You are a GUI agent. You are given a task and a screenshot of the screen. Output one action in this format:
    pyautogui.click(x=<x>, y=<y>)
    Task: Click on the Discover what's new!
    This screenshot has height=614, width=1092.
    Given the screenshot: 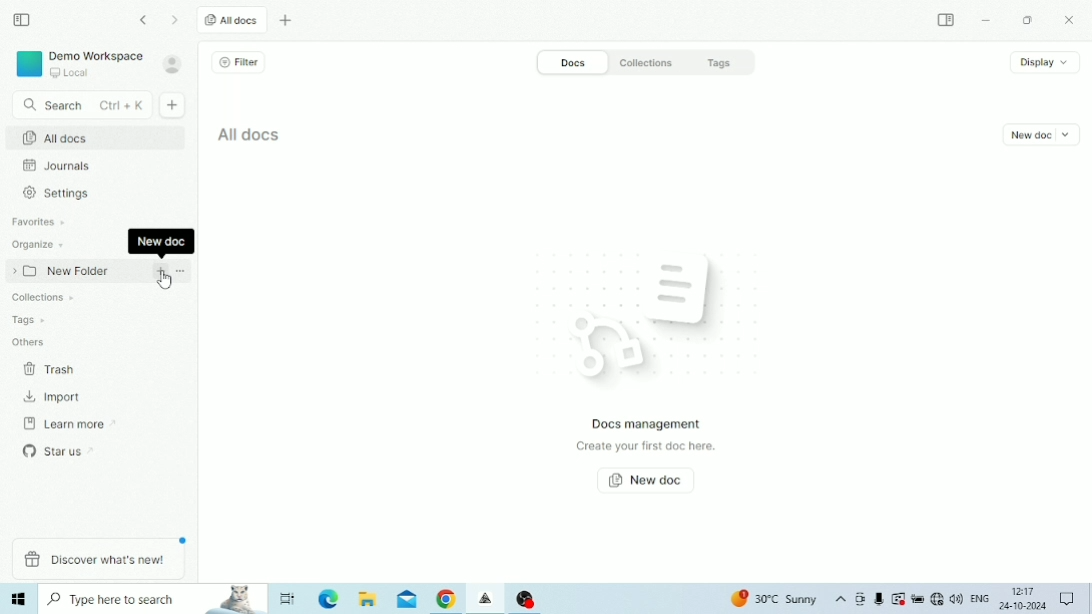 What is the action you would take?
    pyautogui.click(x=98, y=560)
    